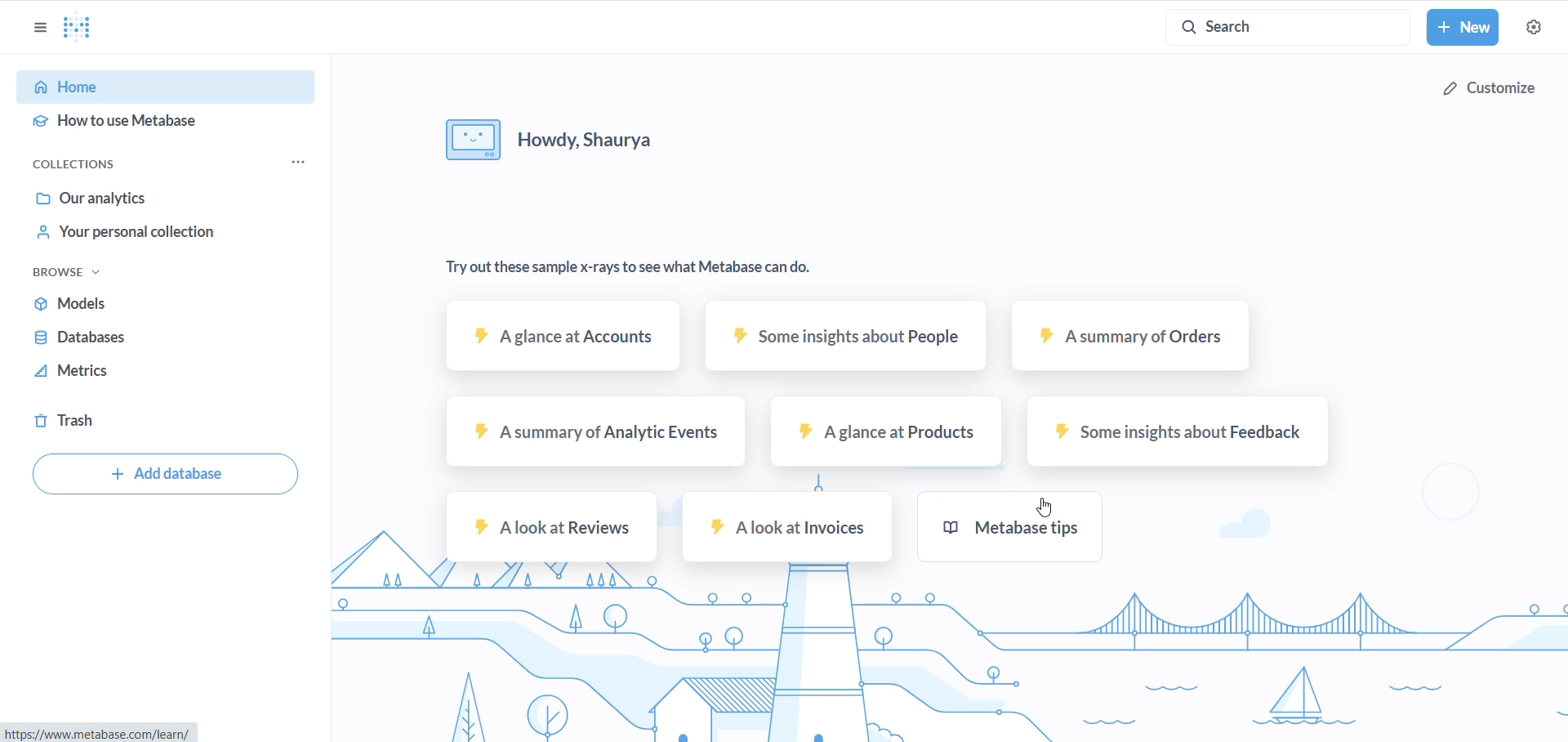  What do you see at coordinates (77, 166) in the screenshot?
I see `Collections` at bounding box center [77, 166].